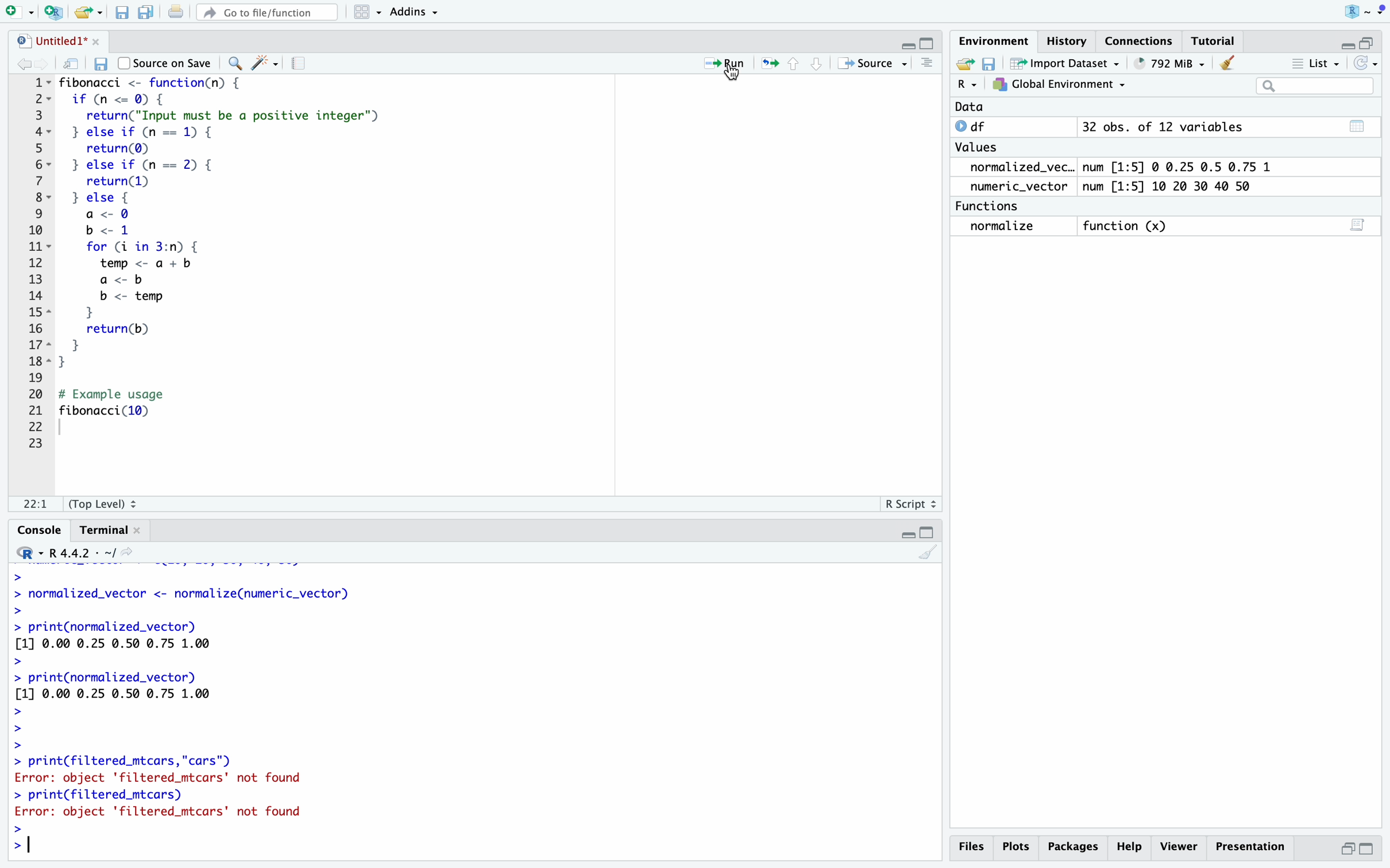  Describe the element at coordinates (1228, 63) in the screenshot. I see `clear objects from the workspace` at that location.